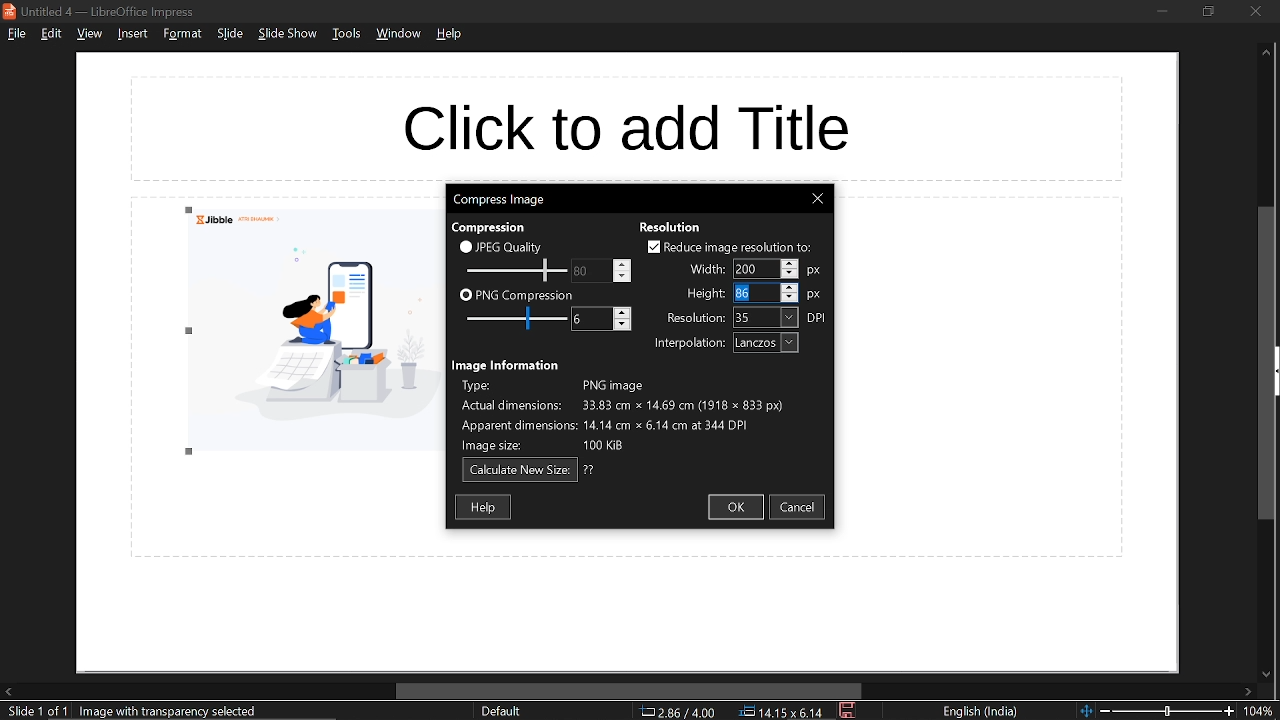  Describe the element at coordinates (1207, 11) in the screenshot. I see `restore down` at that location.